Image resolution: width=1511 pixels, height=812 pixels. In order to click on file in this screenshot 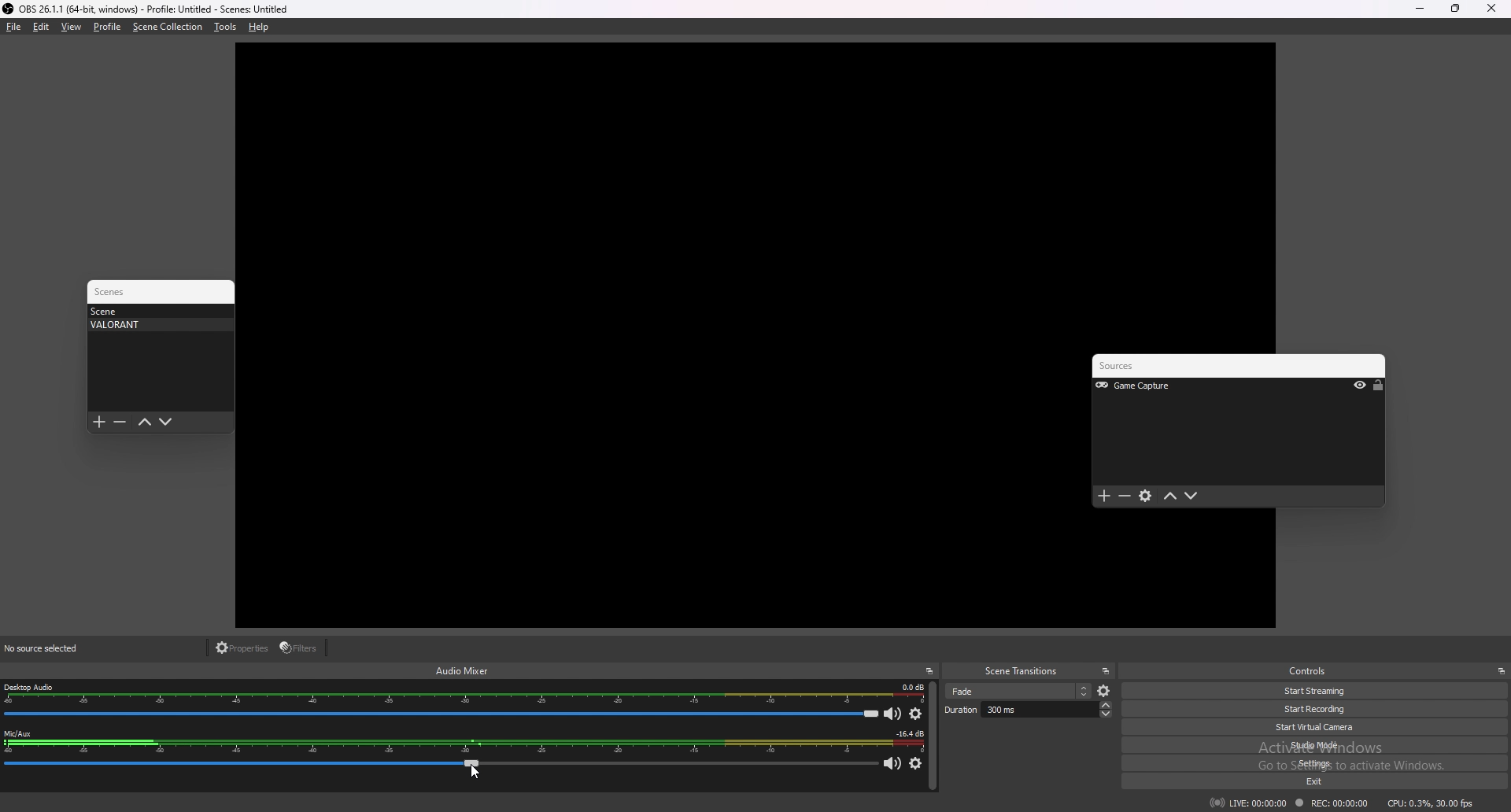, I will do `click(14, 27)`.